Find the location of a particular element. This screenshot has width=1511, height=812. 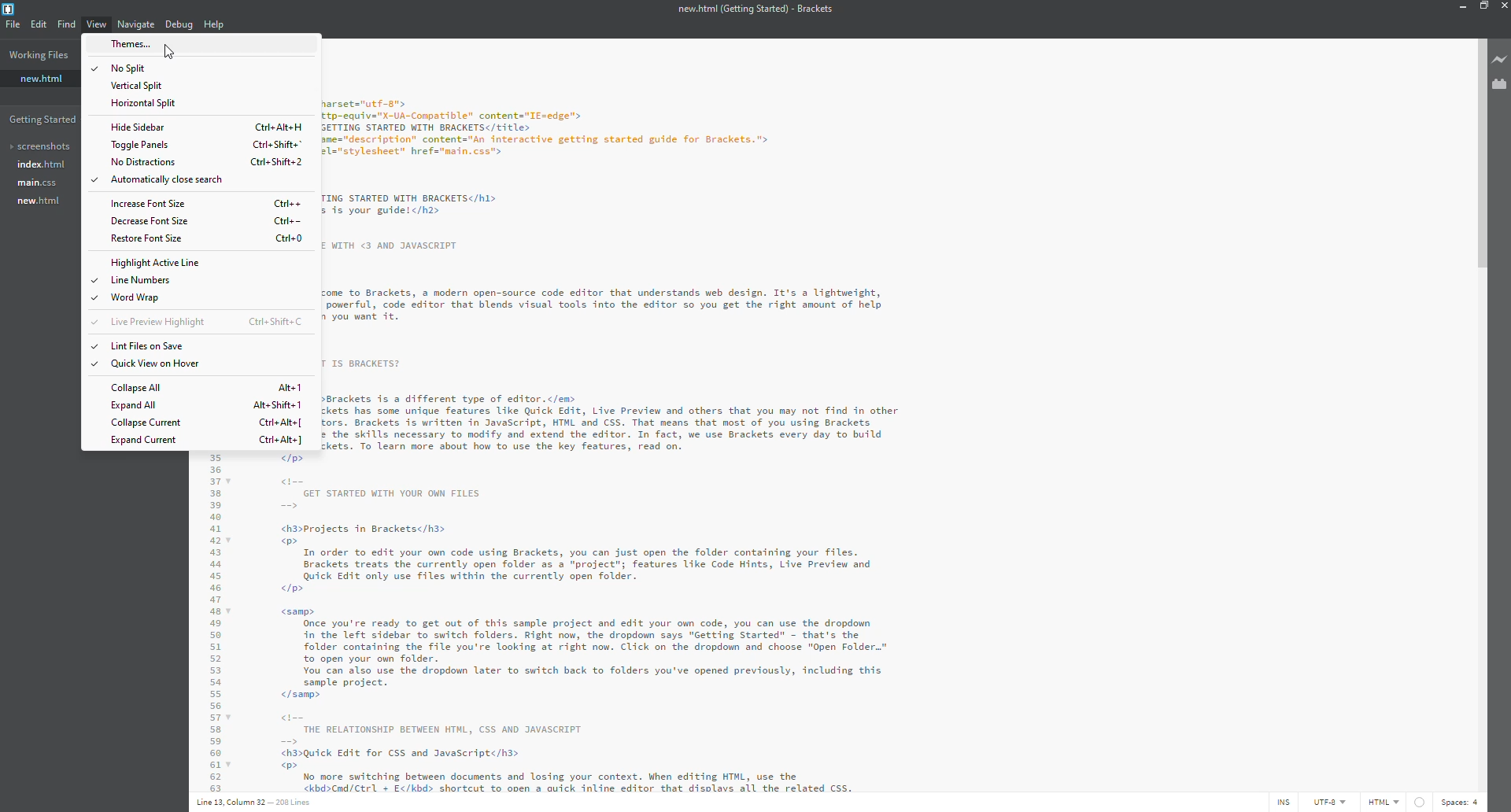

increase font size is located at coordinates (148, 205).